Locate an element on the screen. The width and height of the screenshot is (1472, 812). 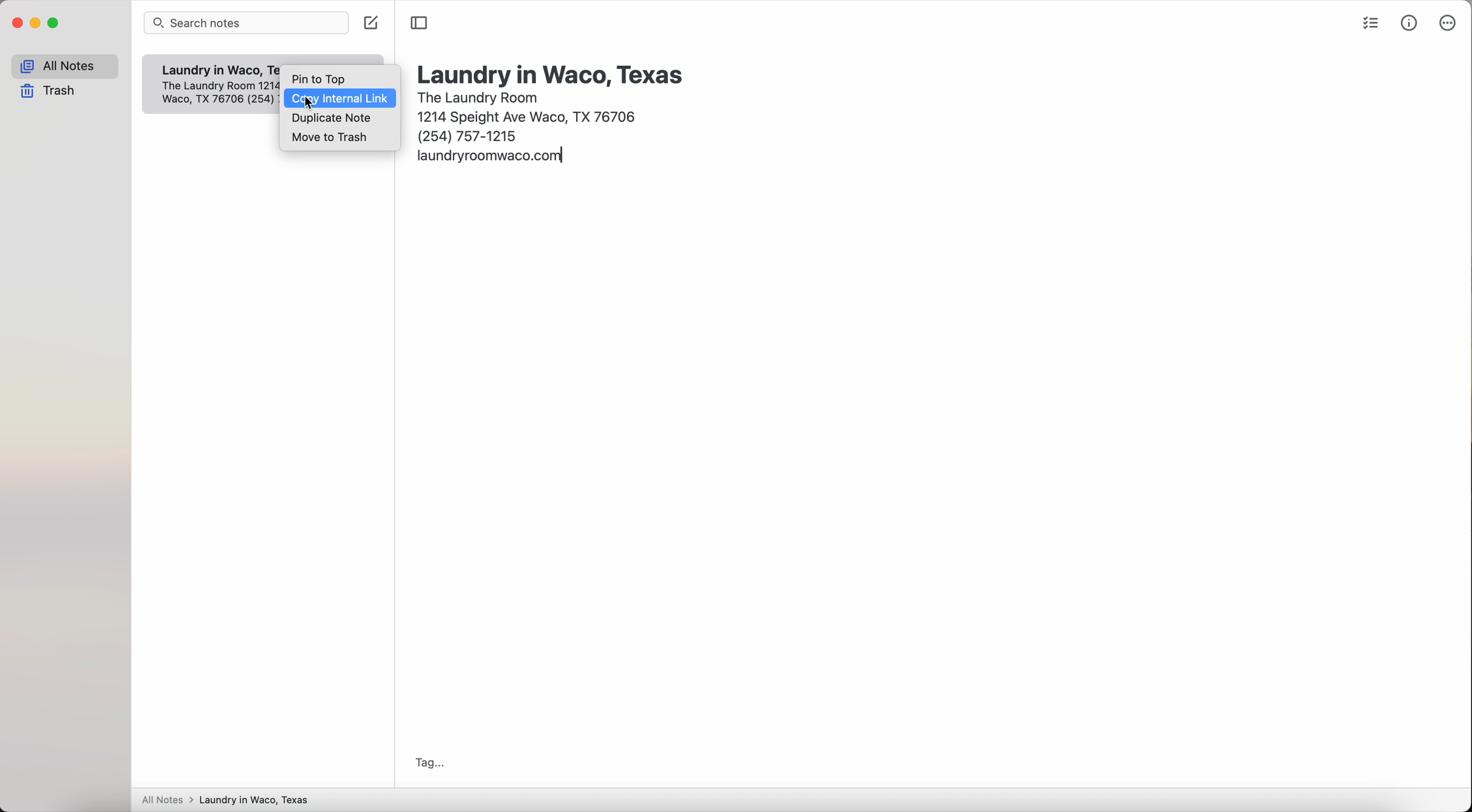
close app is located at coordinates (18, 23).